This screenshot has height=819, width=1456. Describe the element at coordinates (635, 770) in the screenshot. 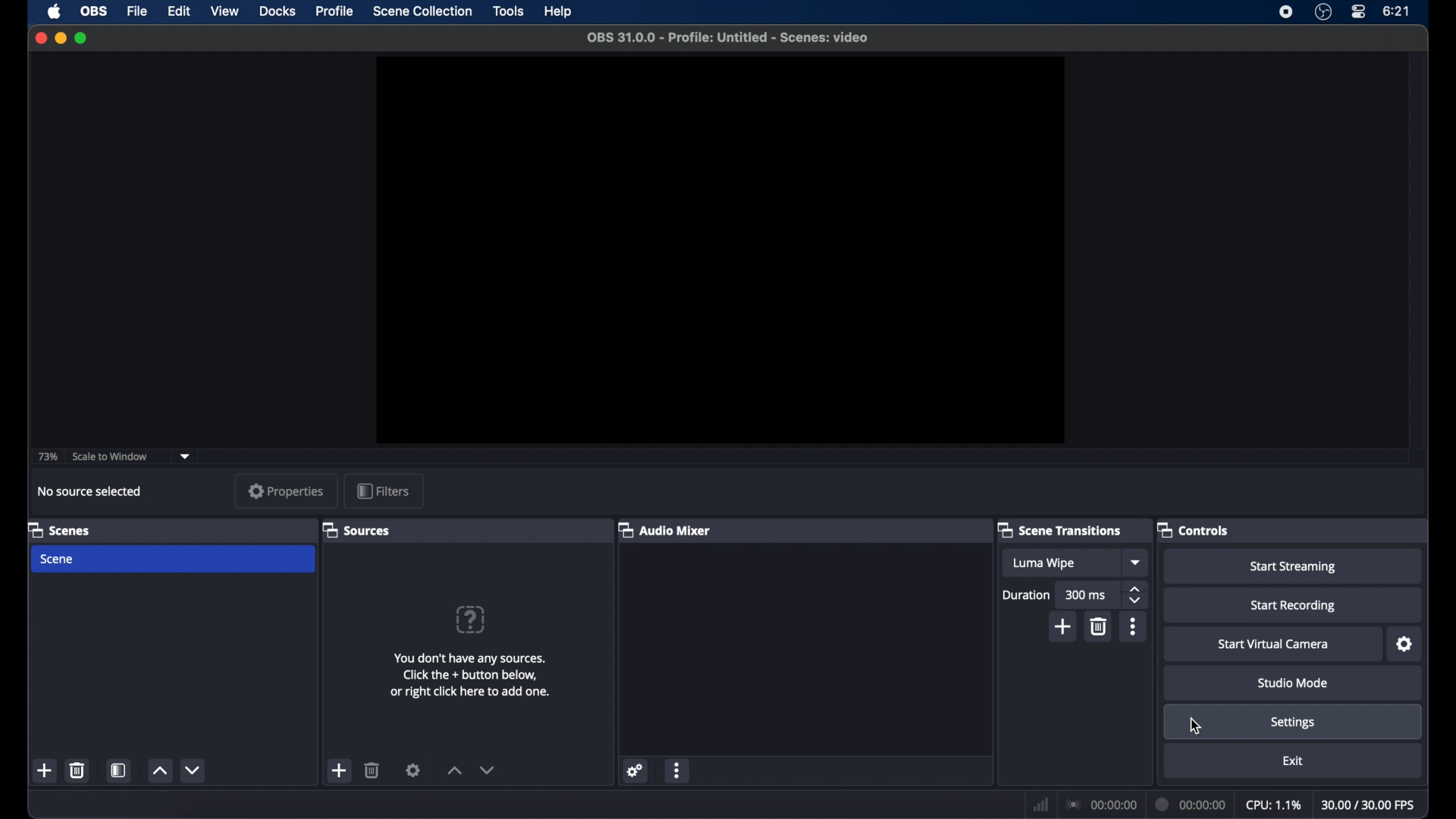

I see `settings` at that location.